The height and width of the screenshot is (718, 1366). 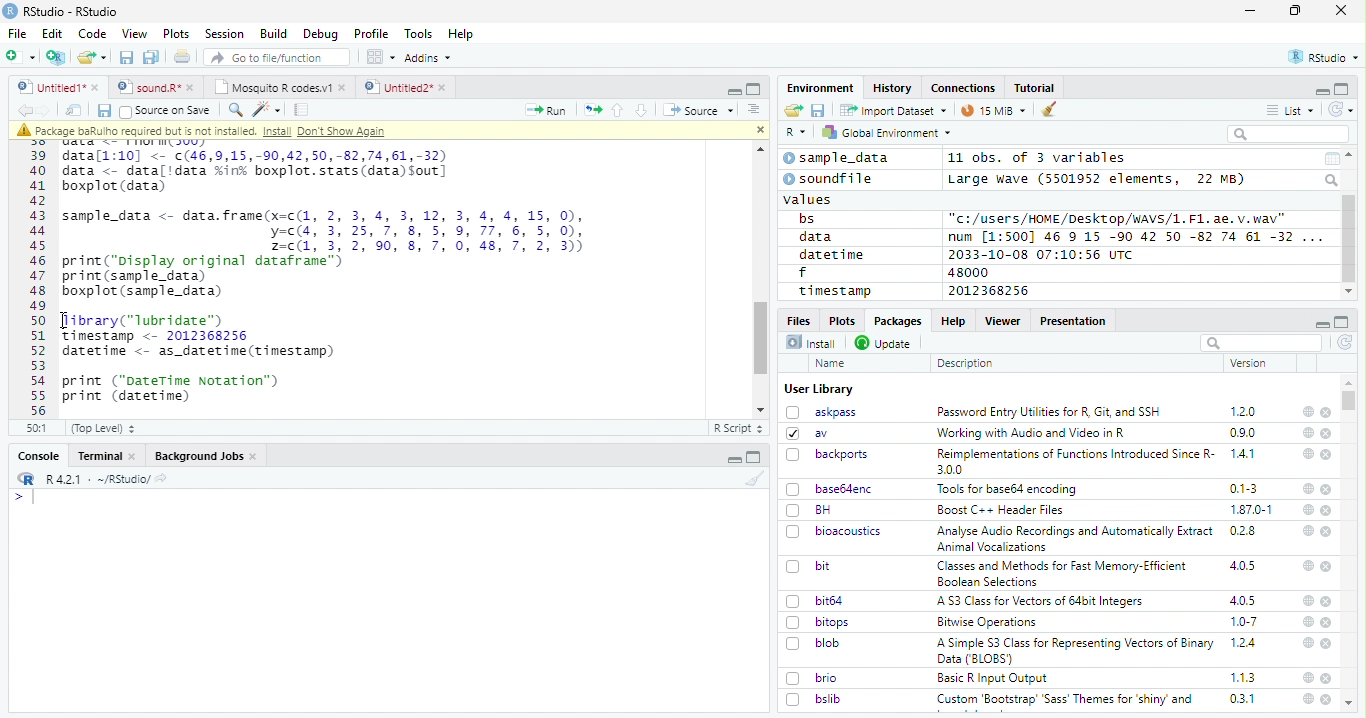 I want to click on RStudio, so click(x=1325, y=58).